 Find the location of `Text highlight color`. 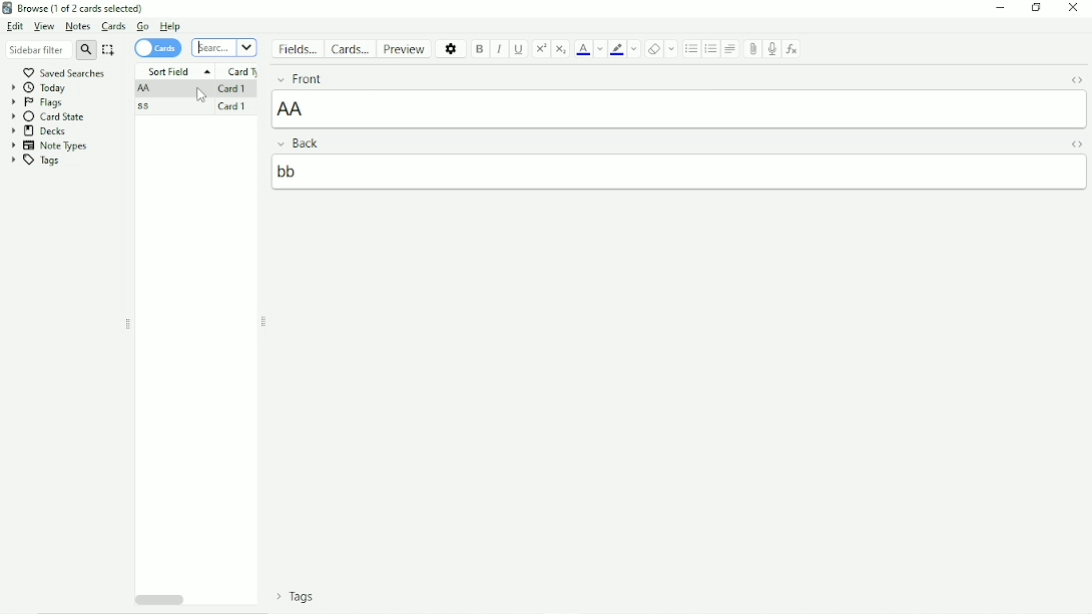

Text highlight color is located at coordinates (617, 50).